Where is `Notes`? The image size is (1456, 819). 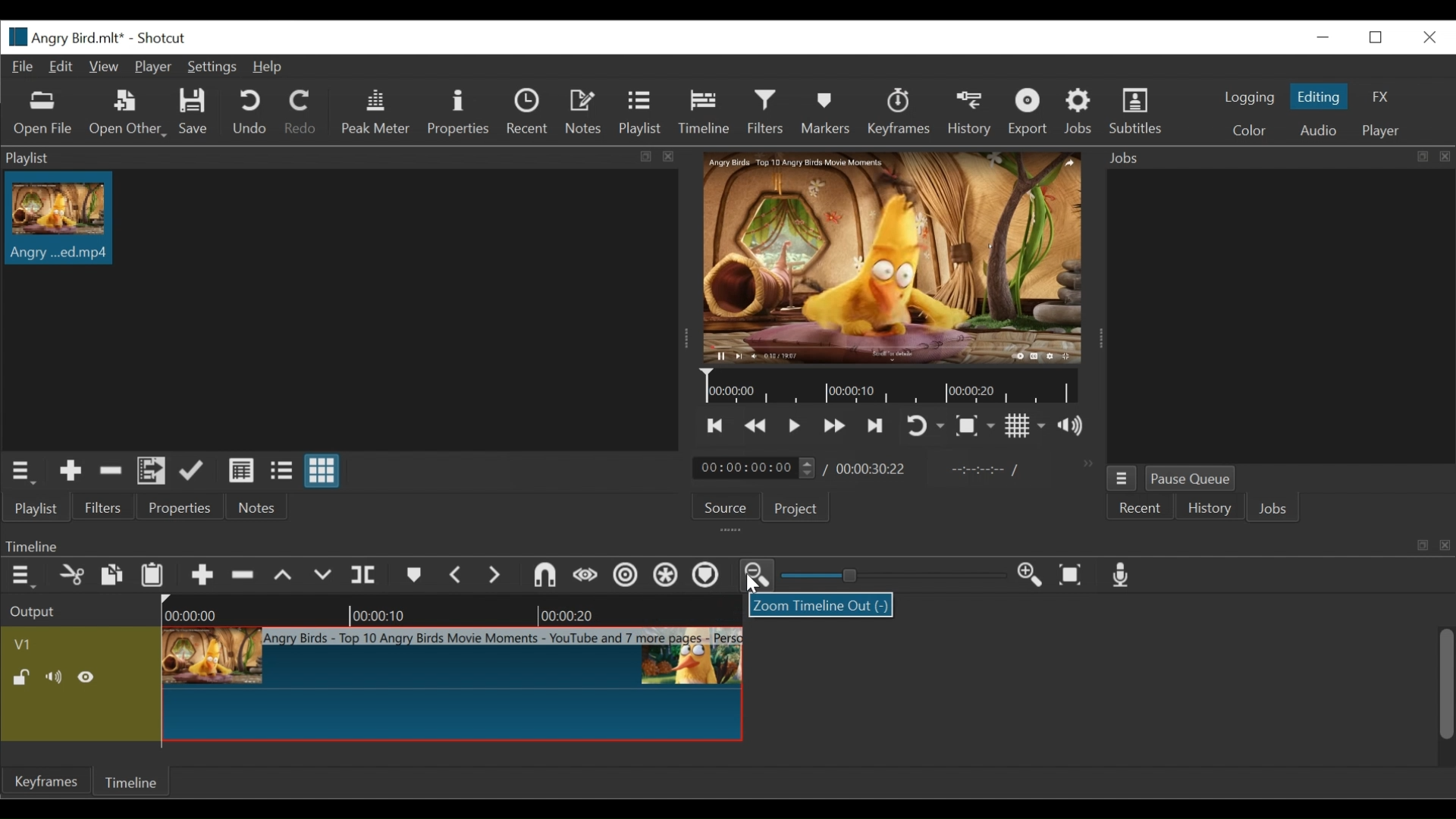 Notes is located at coordinates (584, 111).